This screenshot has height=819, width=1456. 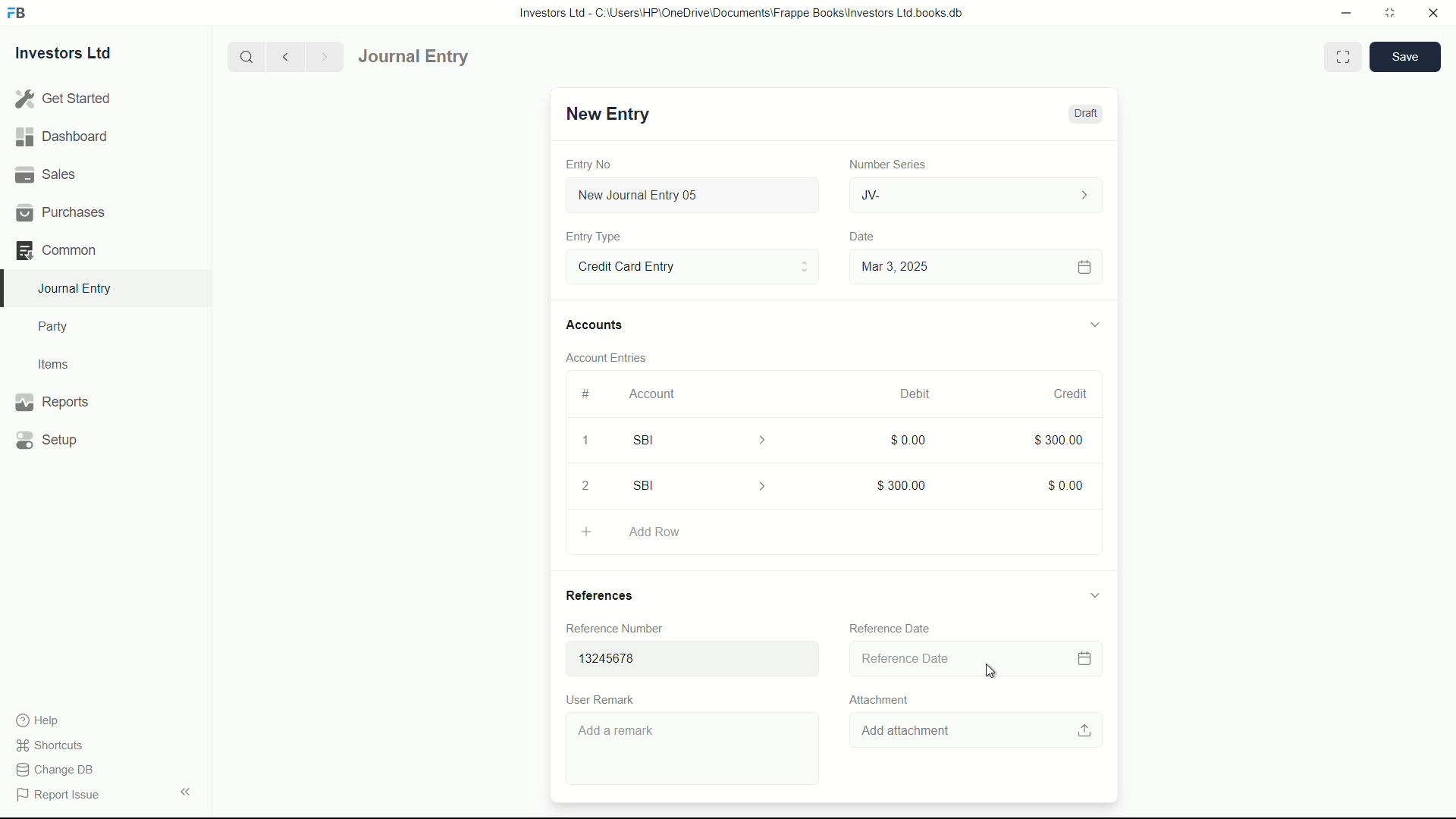 I want to click on New Journal Entry 05, so click(x=695, y=196).